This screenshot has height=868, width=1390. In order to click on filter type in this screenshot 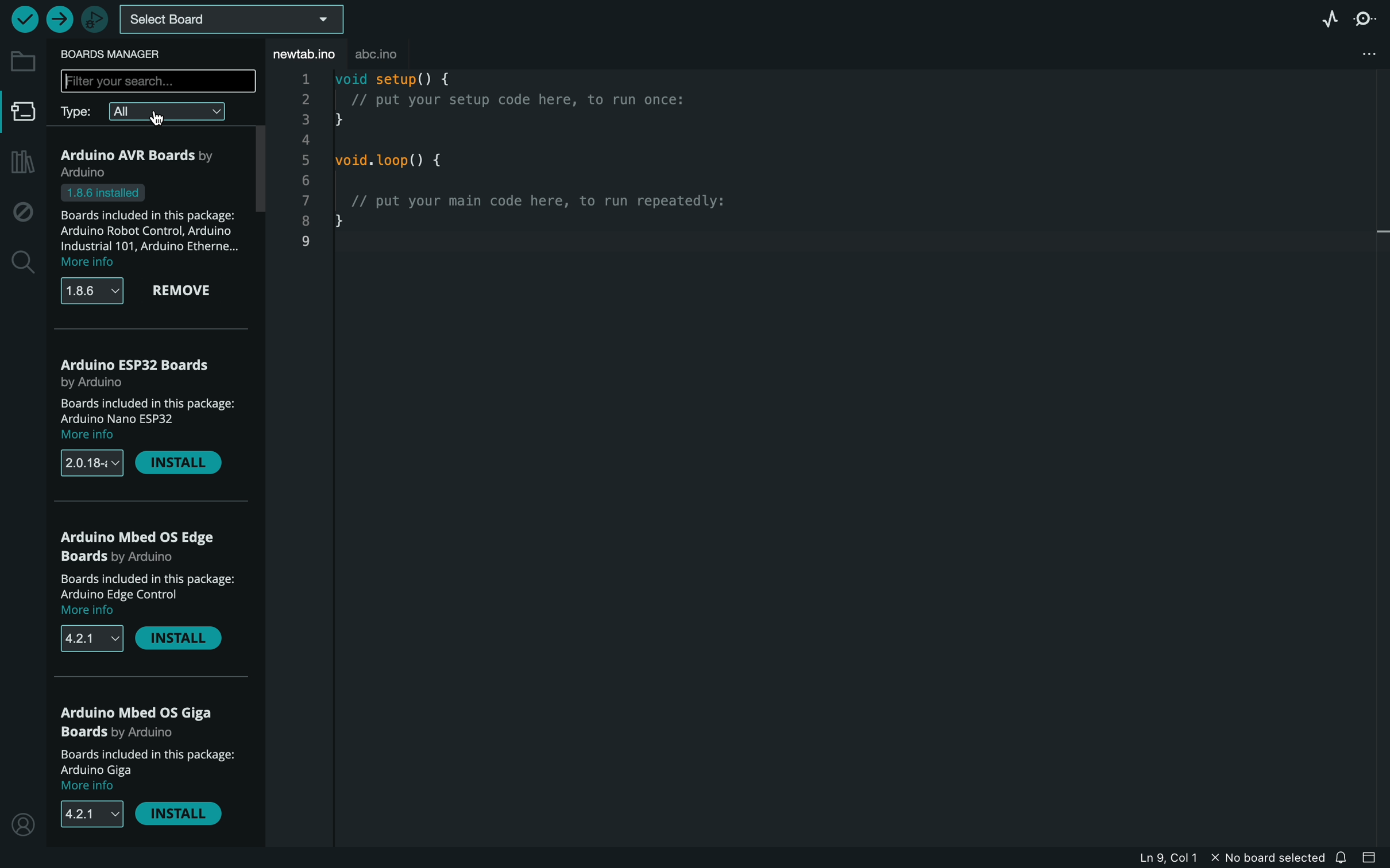, I will do `click(153, 114)`.